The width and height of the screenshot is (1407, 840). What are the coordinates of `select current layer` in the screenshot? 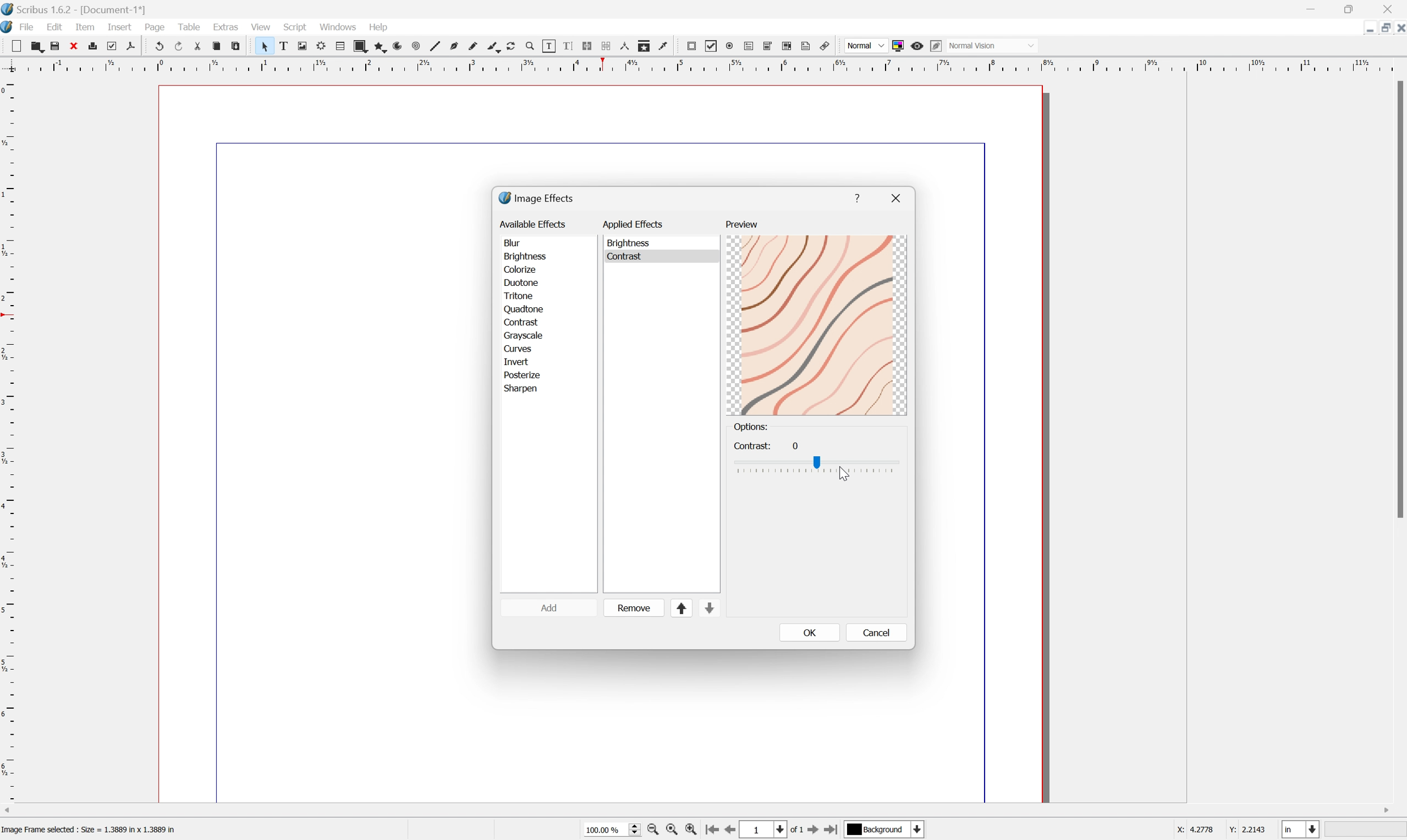 It's located at (887, 830).